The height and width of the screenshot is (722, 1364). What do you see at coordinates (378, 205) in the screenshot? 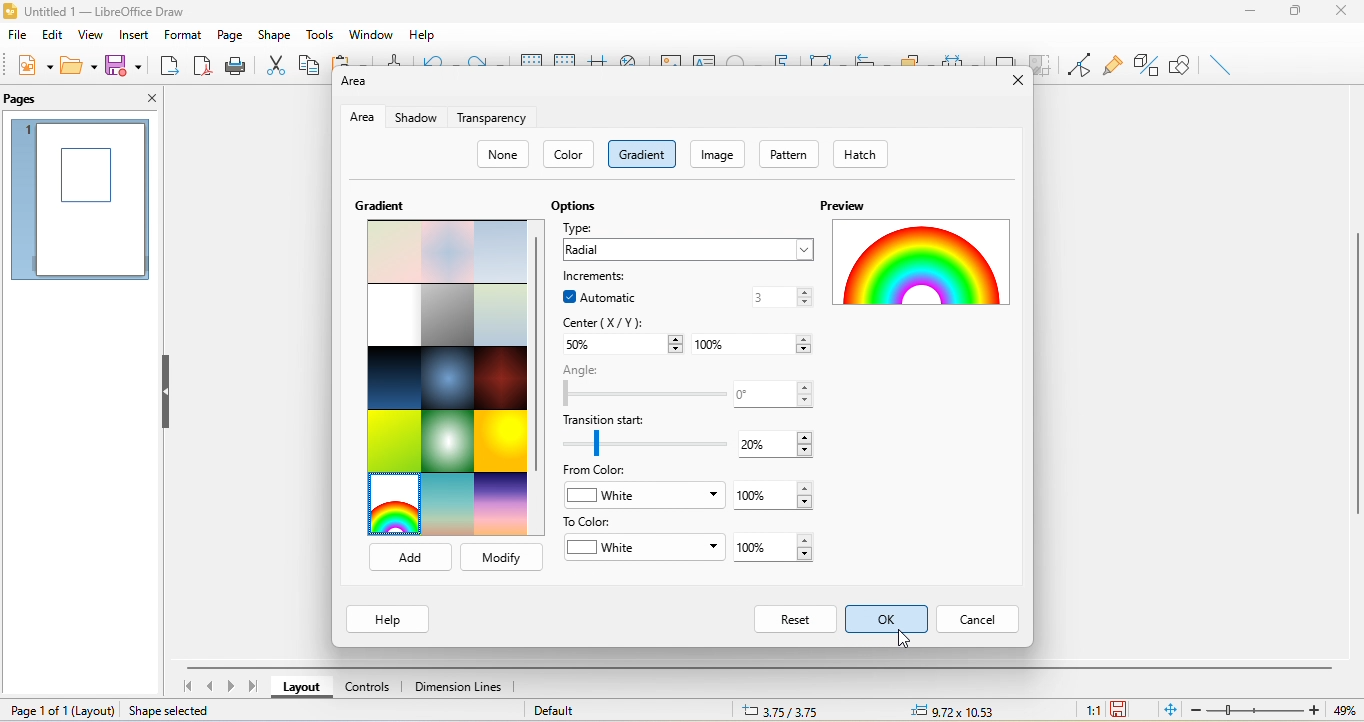
I see `gradient` at bounding box center [378, 205].